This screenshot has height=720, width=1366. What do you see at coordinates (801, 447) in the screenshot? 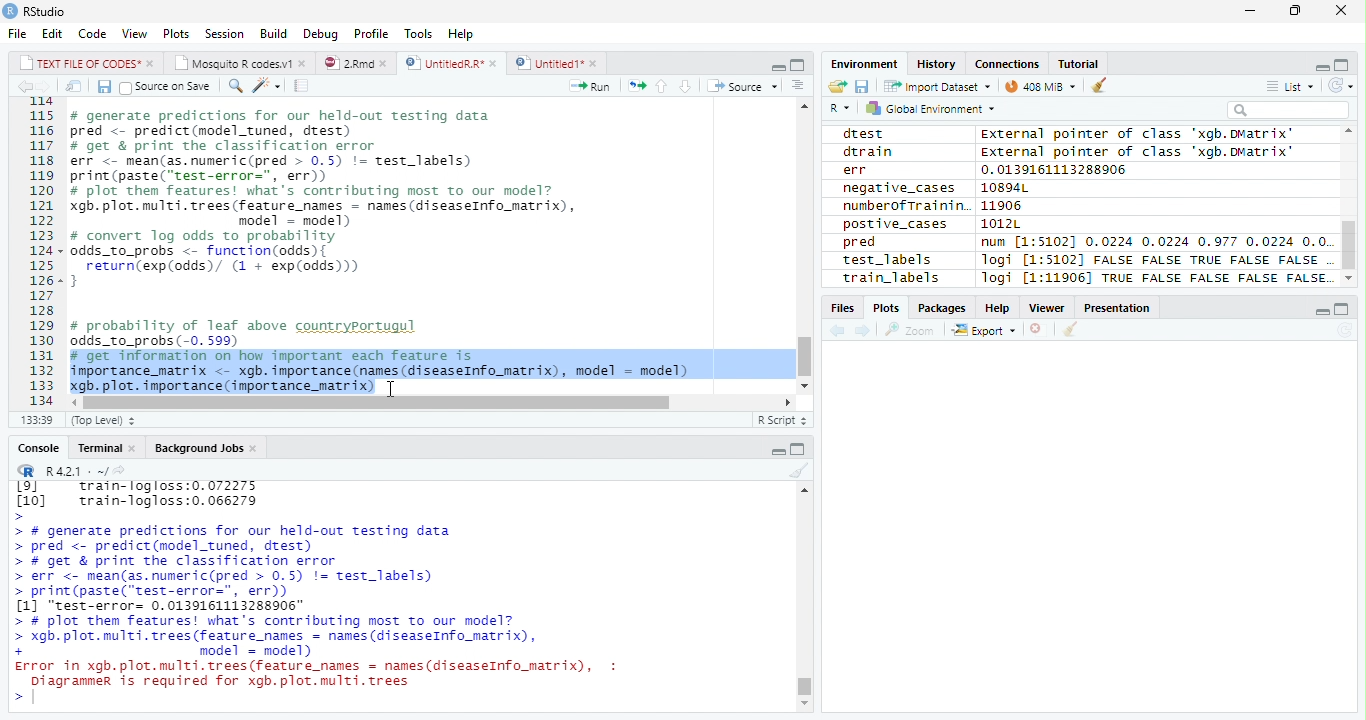
I see `Maximize` at bounding box center [801, 447].